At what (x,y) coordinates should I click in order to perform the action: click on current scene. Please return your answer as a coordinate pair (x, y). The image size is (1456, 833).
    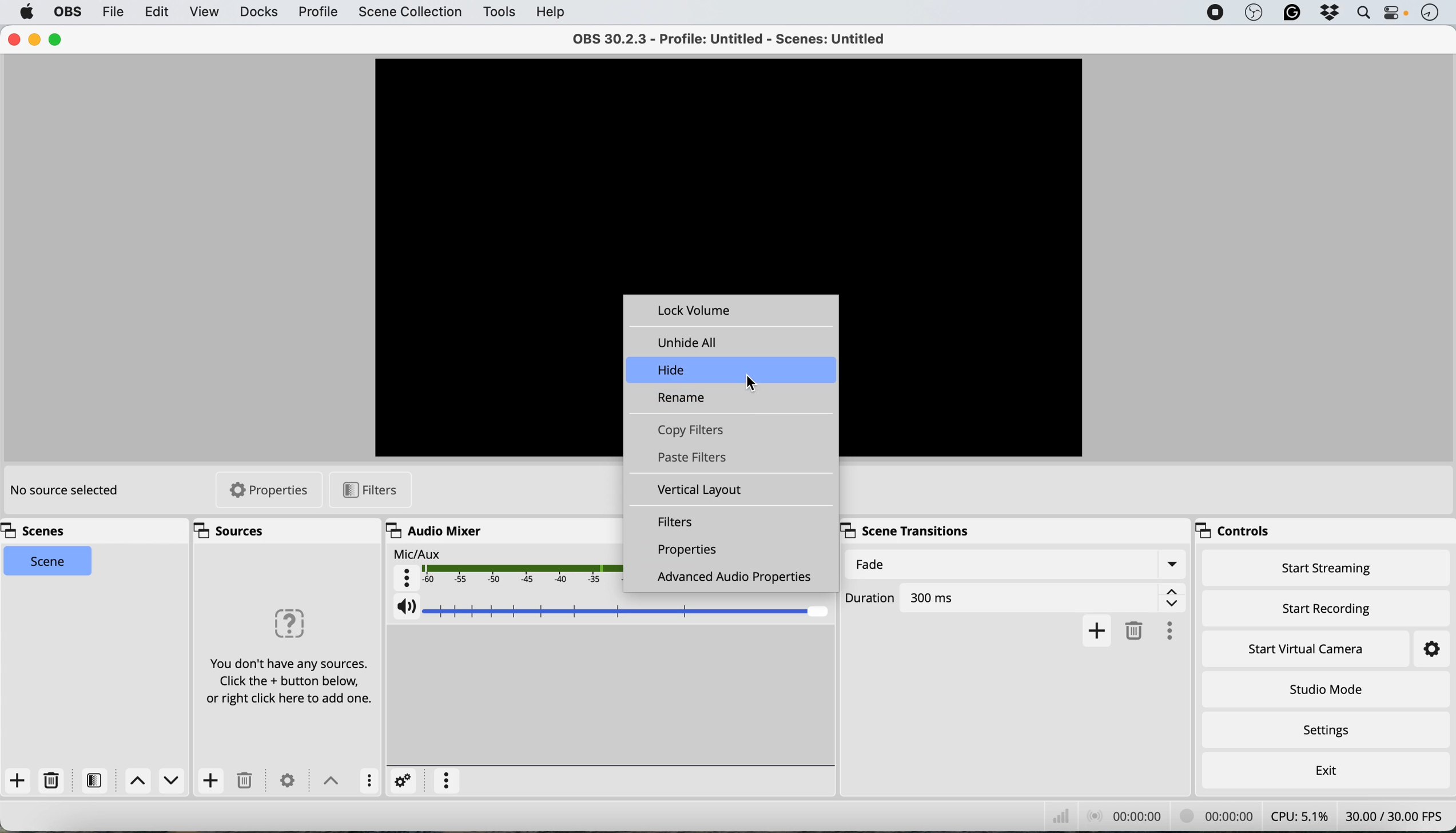
    Looking at the image, I should click on (46, 562).